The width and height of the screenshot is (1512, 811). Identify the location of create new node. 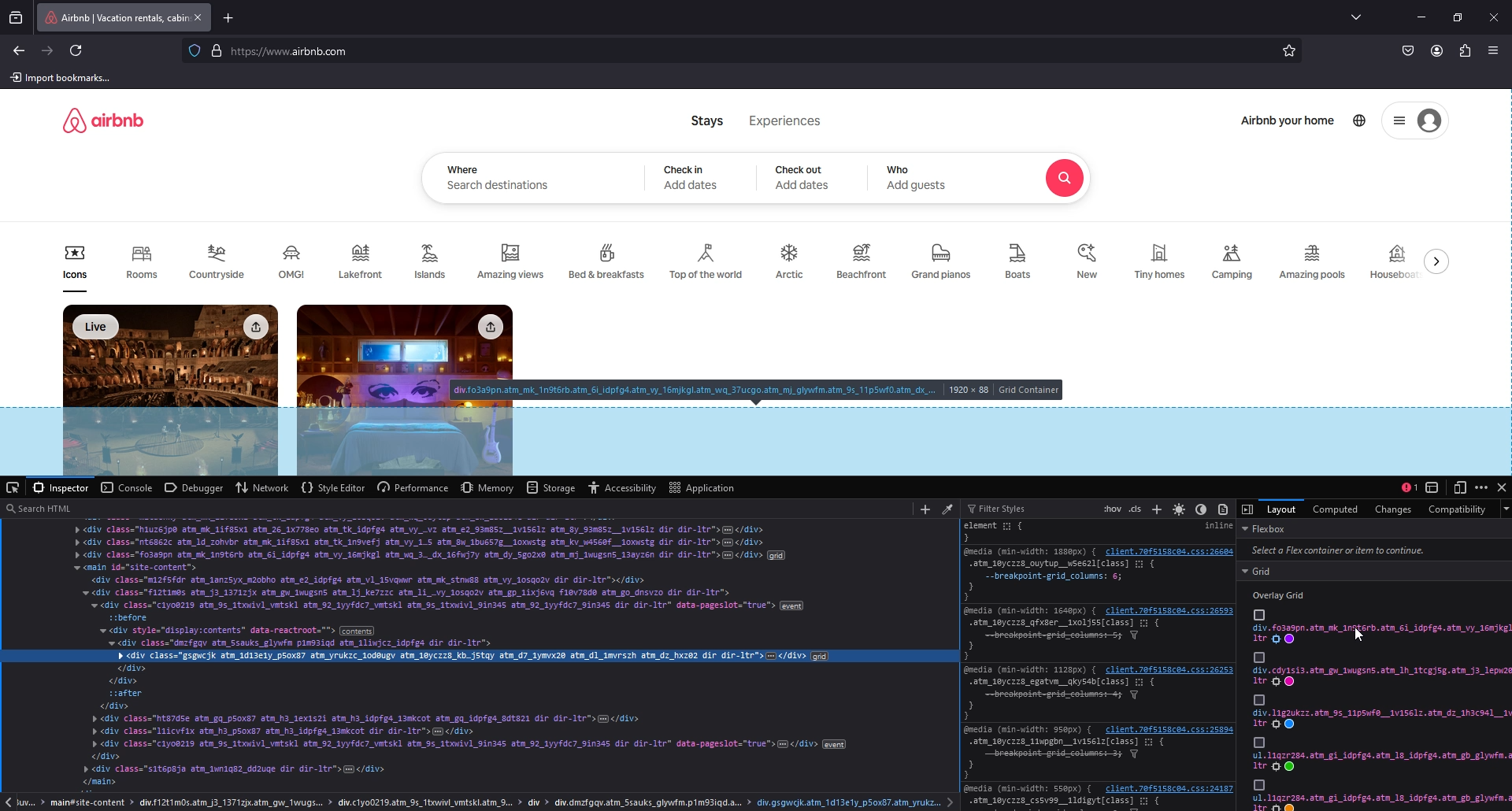
(925, 509).